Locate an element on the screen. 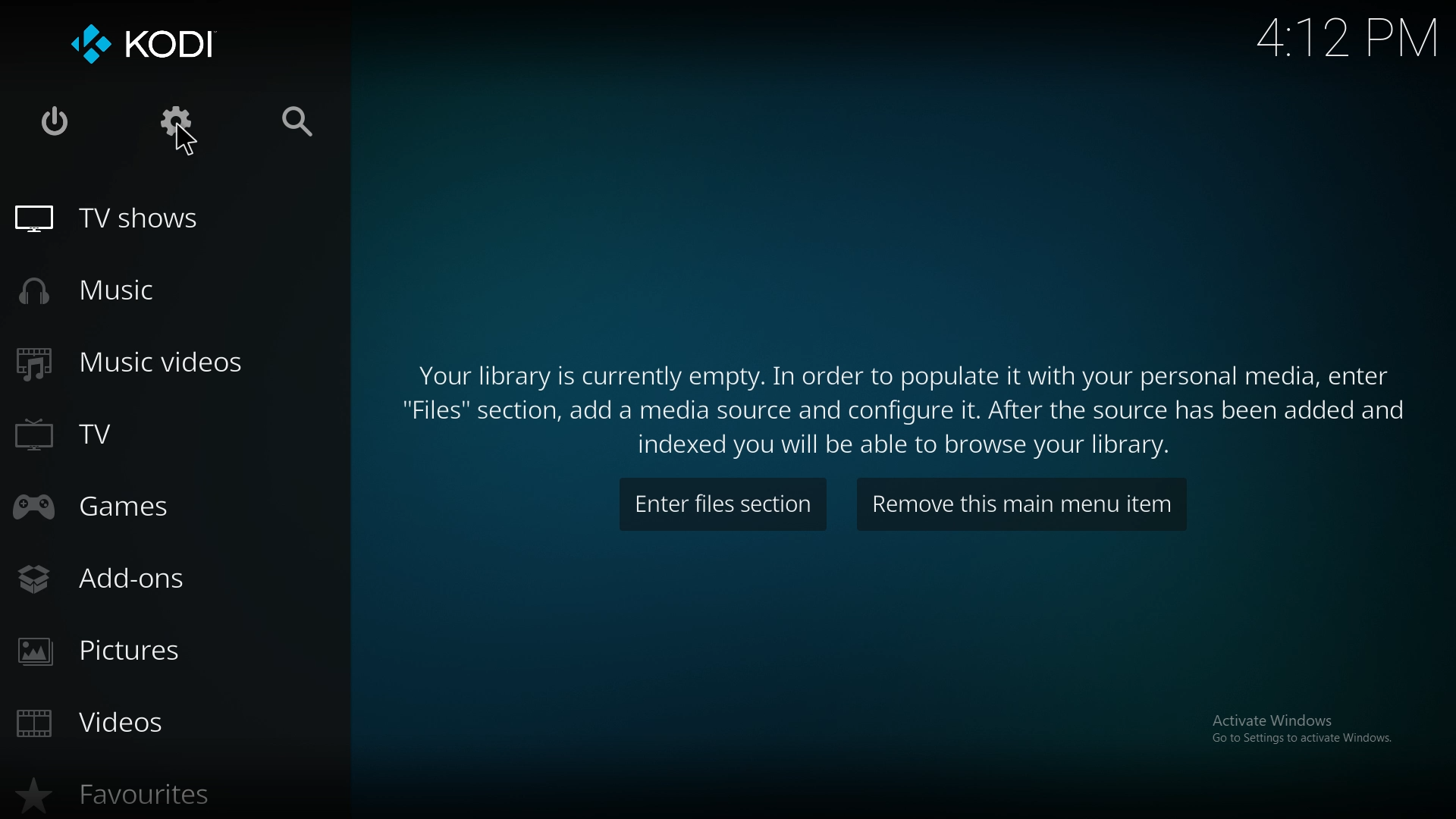 This screenshot has width=1456, height=819. add ons is located at coordinates (137, 576).